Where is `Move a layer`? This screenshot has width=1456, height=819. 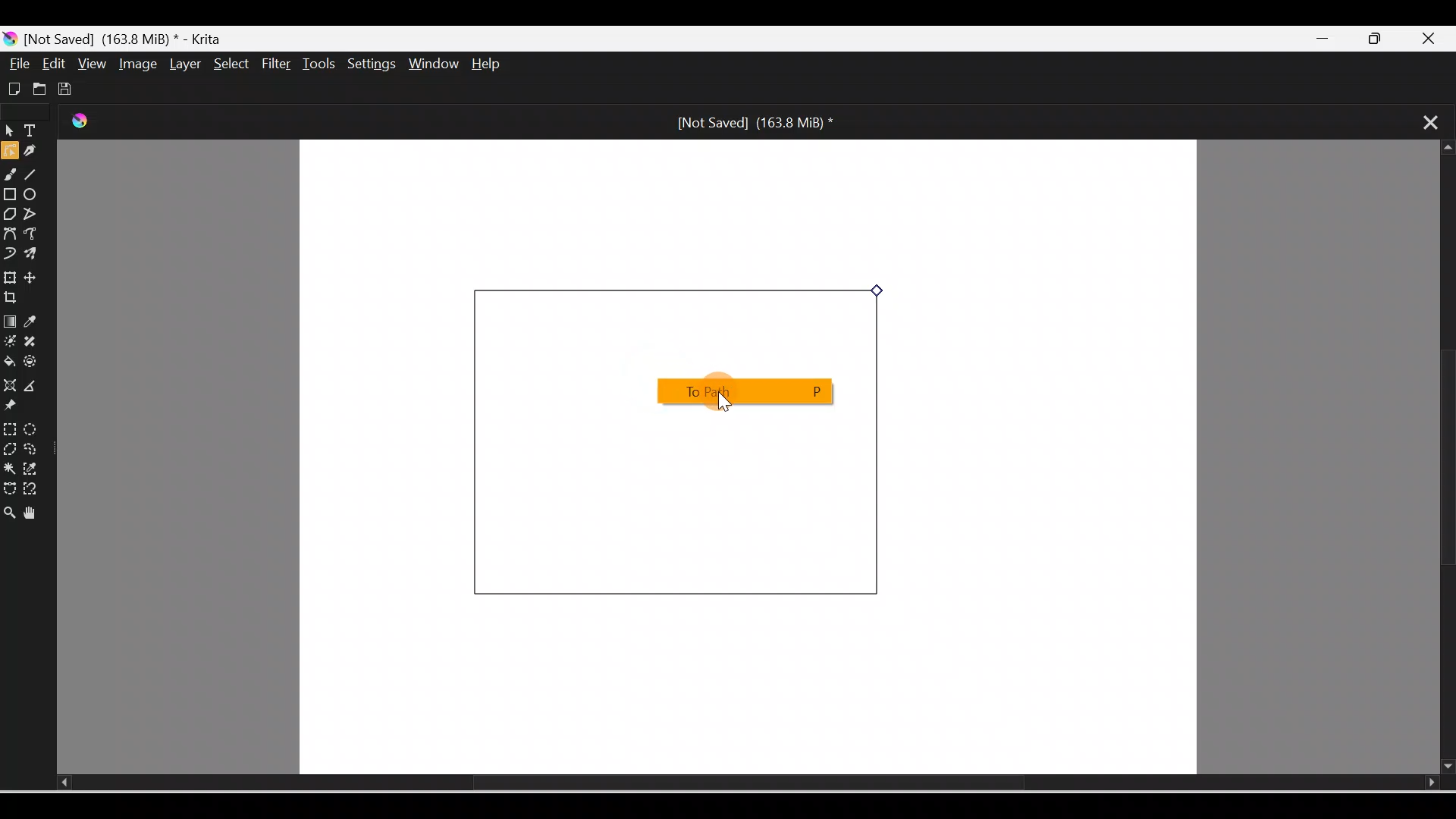 Move a layer is located at coordinates (37, 278).